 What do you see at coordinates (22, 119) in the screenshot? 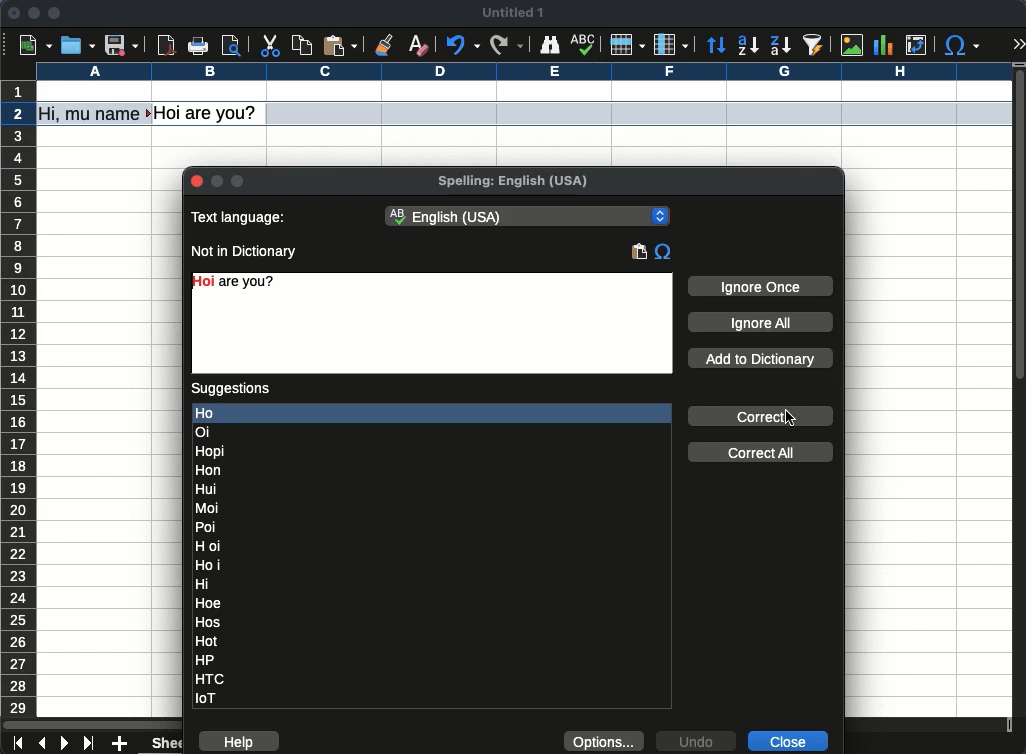
I see `cursor` at bounding box center [22, 119].